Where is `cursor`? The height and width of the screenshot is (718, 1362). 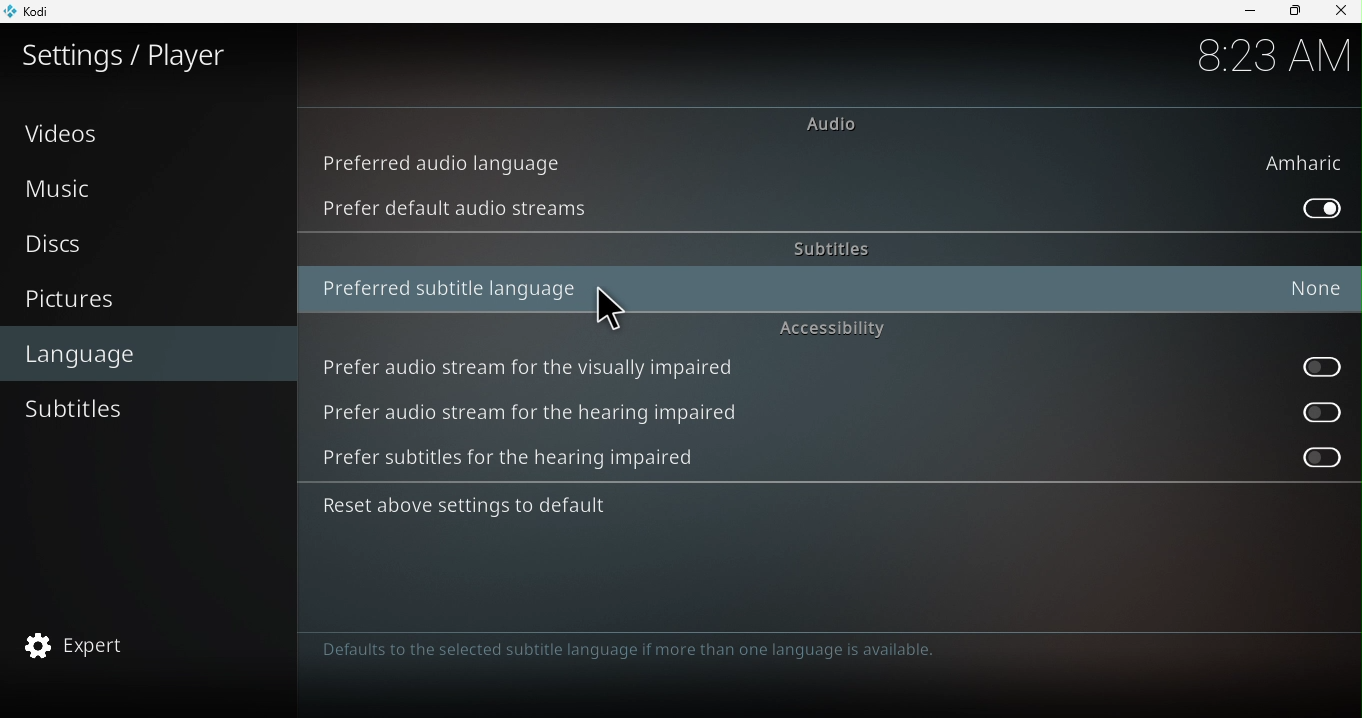
cursor is located at coordinates (606, 306).